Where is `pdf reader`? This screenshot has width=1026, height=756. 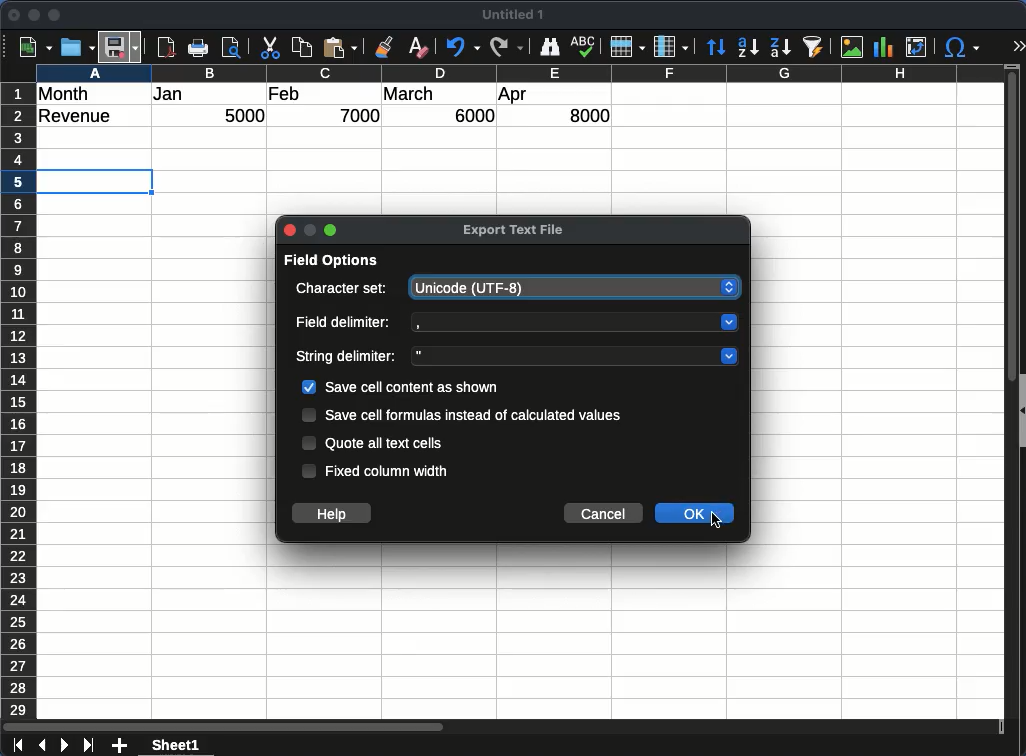
pdf reader is located at coordinates (166, 48).